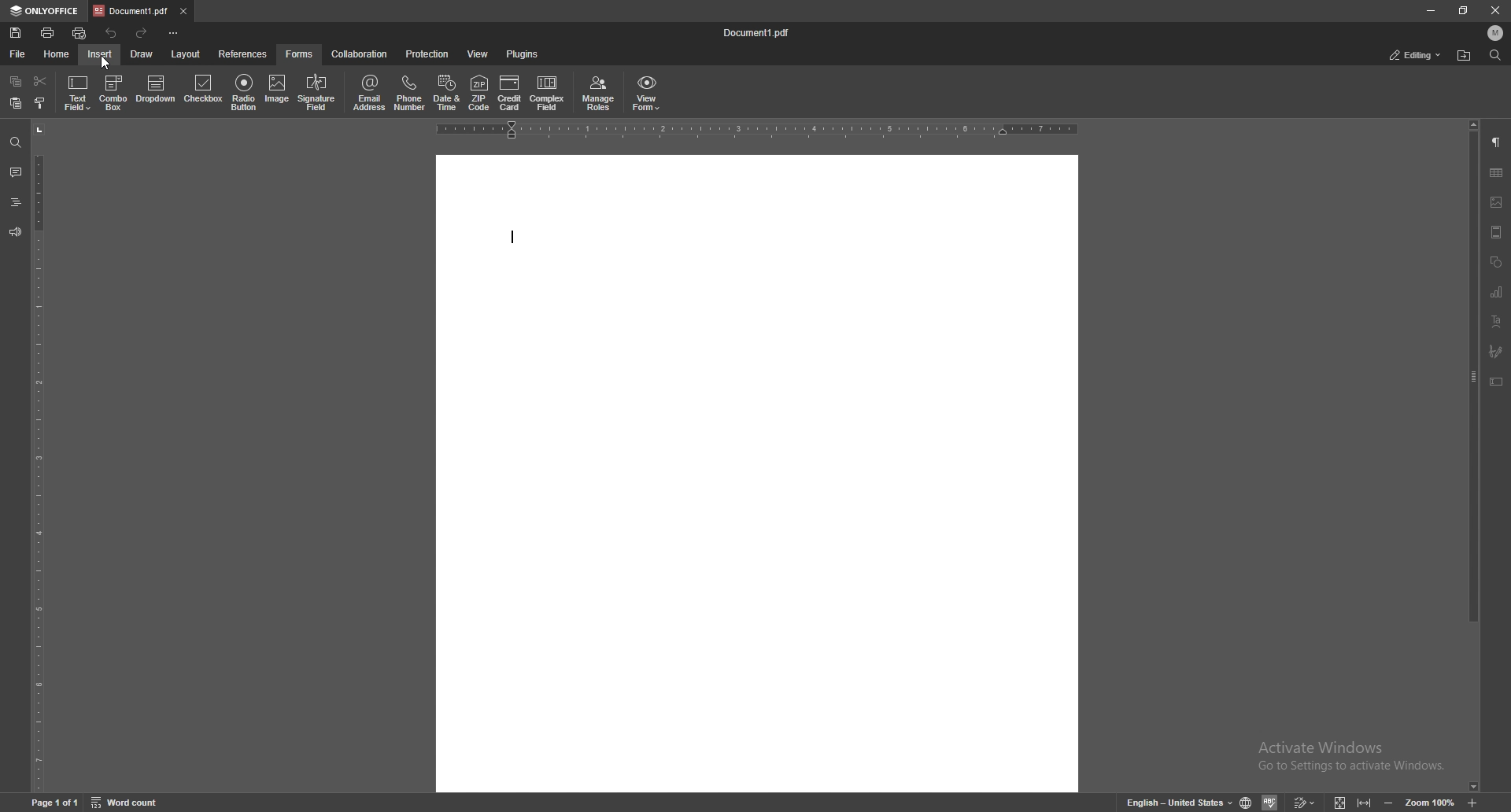 Image resolution: width=1511 pixels, height=812 pixels. Describe the element at coordinates (57, 55) in the screenshot. I see `home` at that location.